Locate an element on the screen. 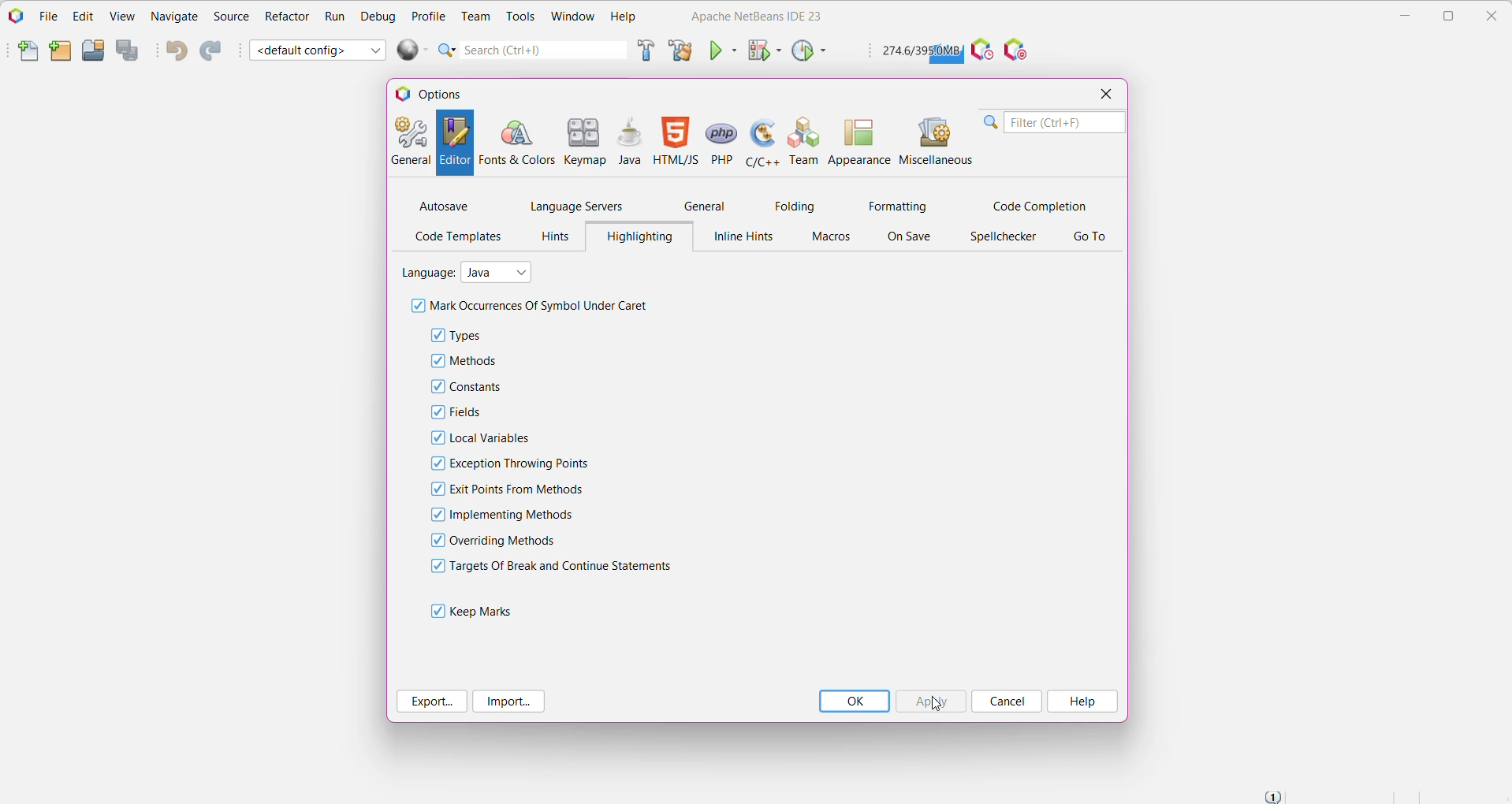  checkbox is located at coordinates (434, 609).